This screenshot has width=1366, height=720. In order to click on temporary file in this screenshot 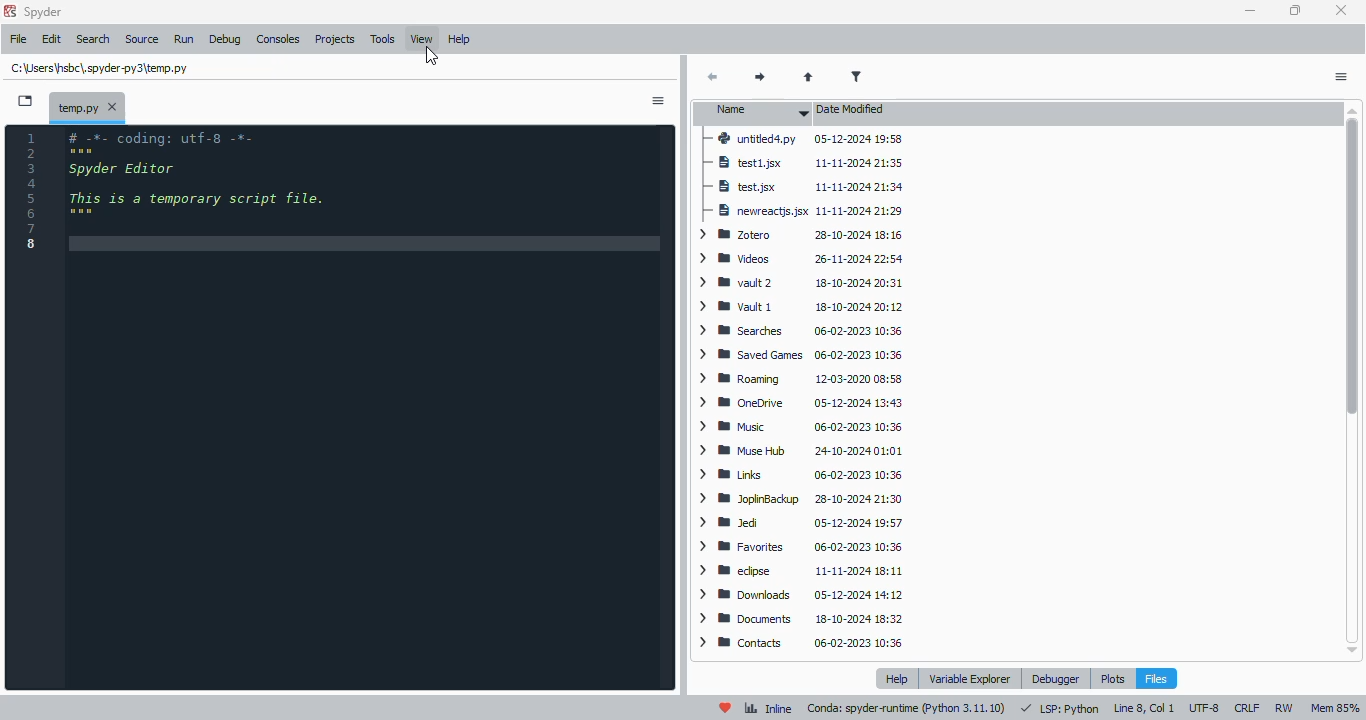, I will do `click(87, 105)`.